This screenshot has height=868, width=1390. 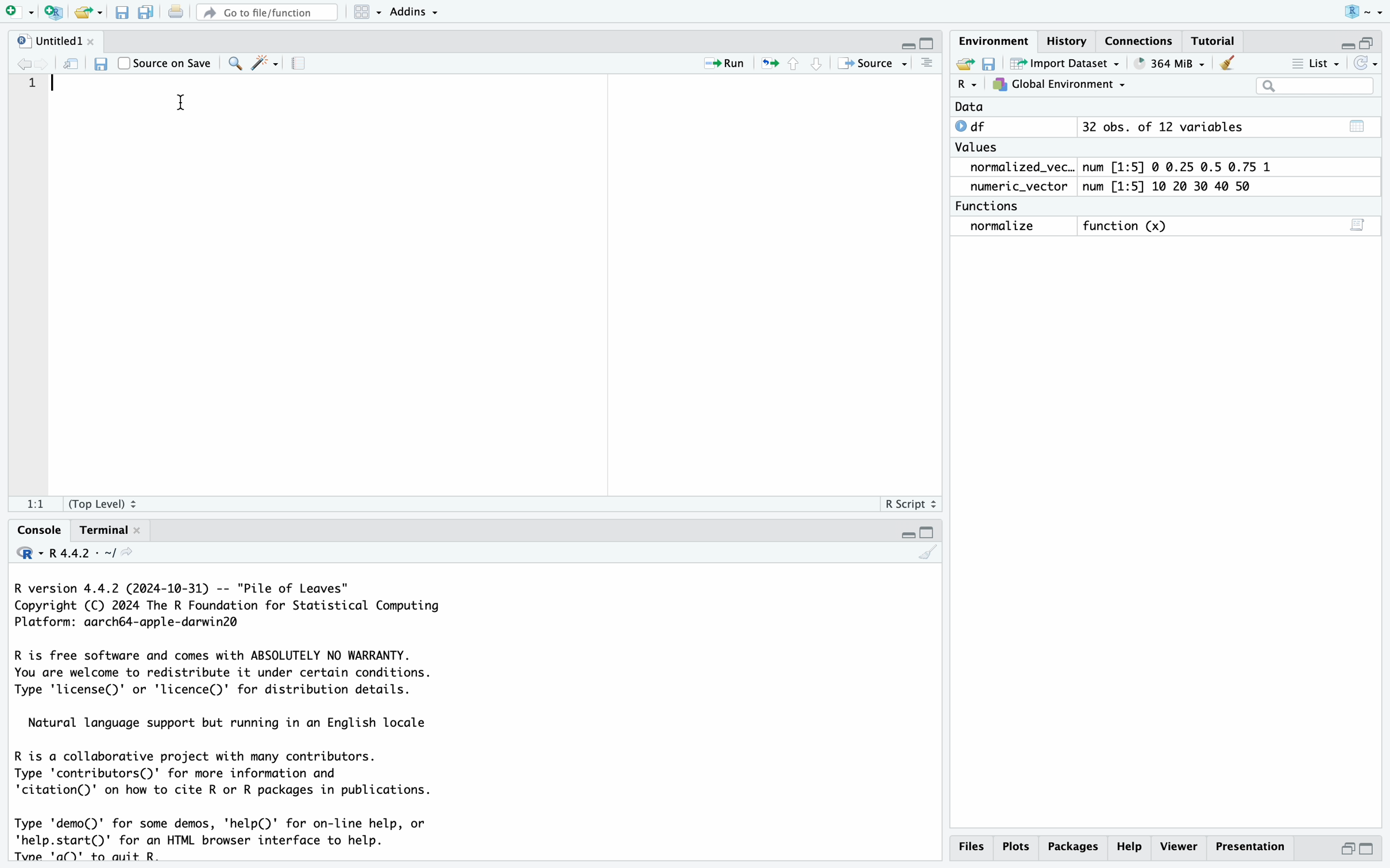 I want to click on Code, so click(x=236, y=720).